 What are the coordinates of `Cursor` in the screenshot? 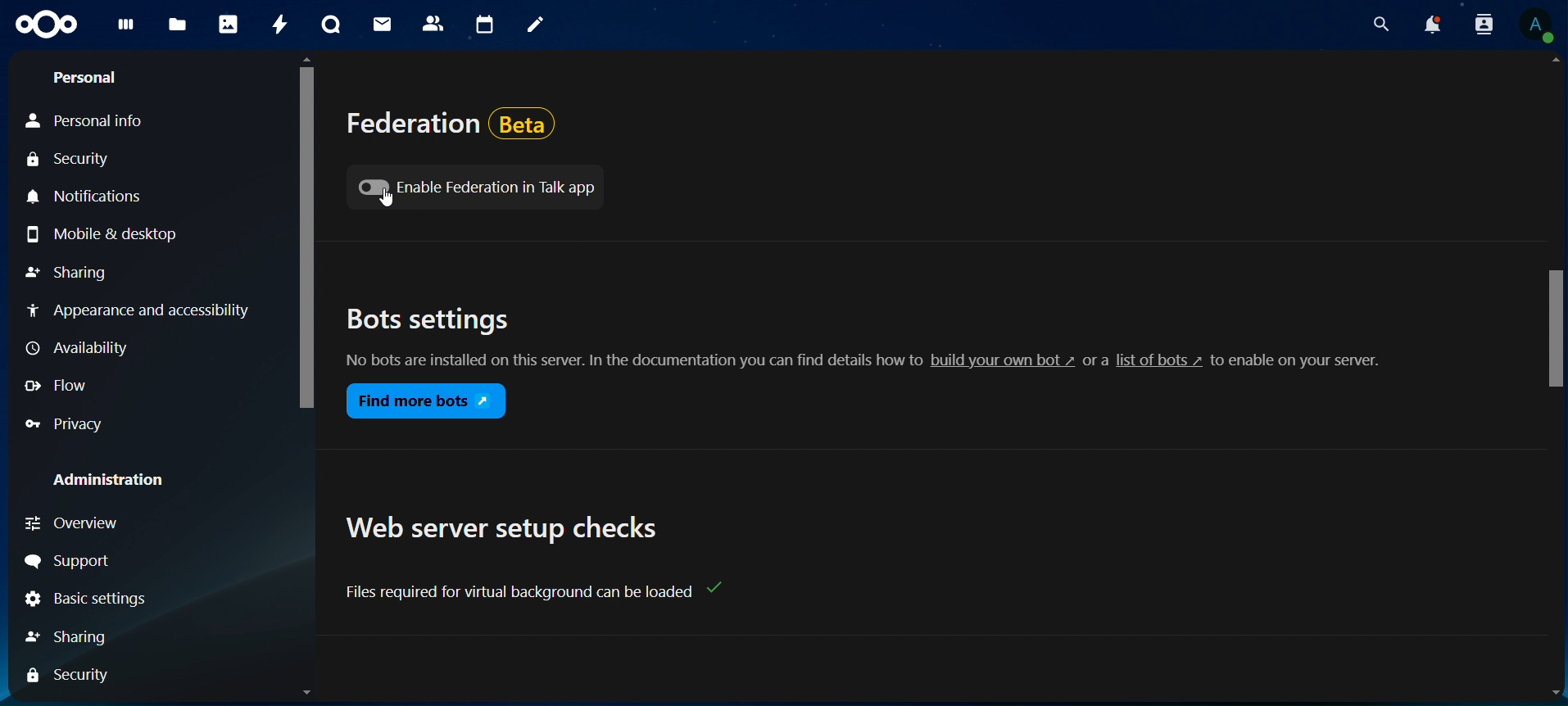 It's located at (388, 202).